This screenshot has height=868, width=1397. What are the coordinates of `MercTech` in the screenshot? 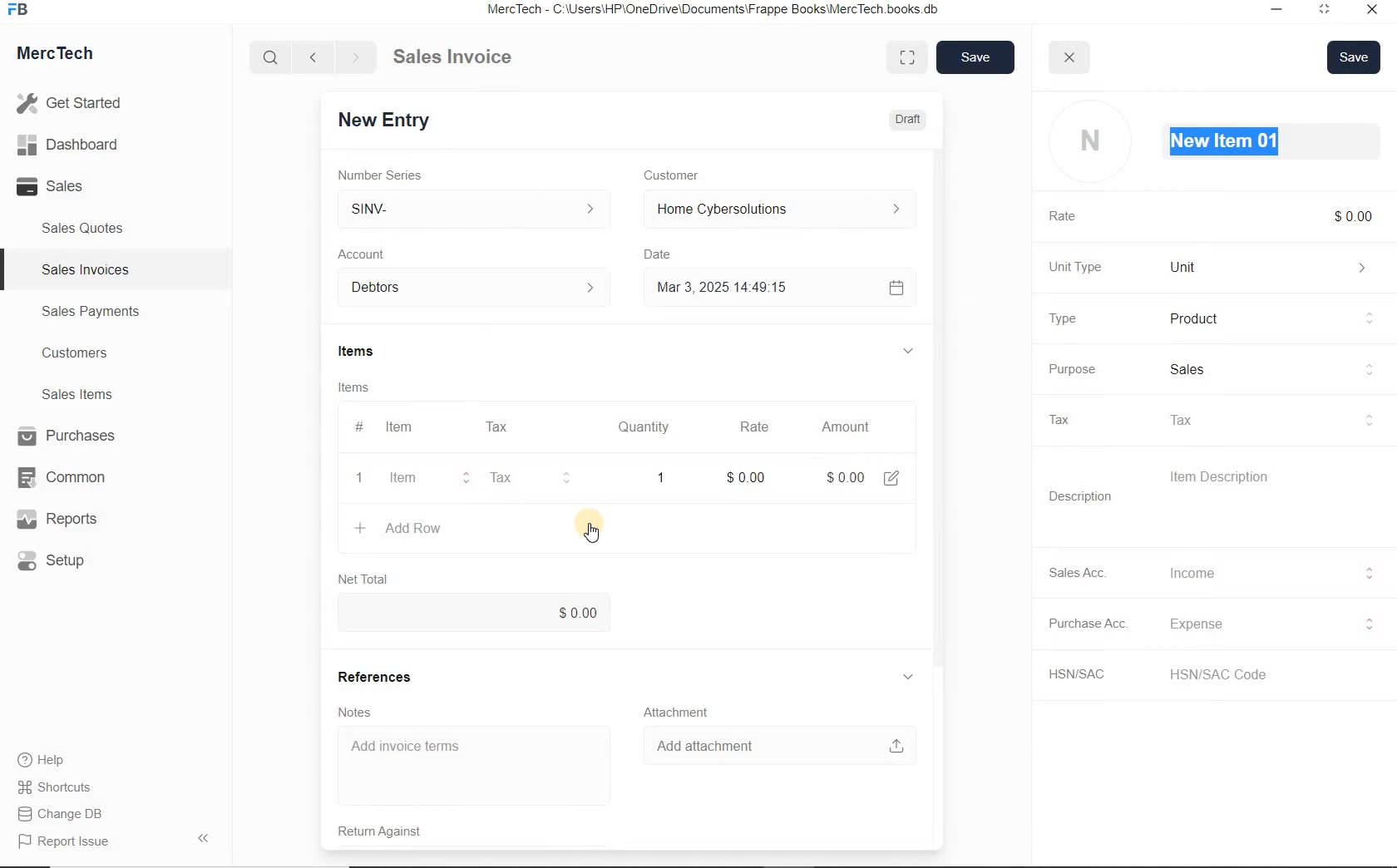 It's located at (63, 57).